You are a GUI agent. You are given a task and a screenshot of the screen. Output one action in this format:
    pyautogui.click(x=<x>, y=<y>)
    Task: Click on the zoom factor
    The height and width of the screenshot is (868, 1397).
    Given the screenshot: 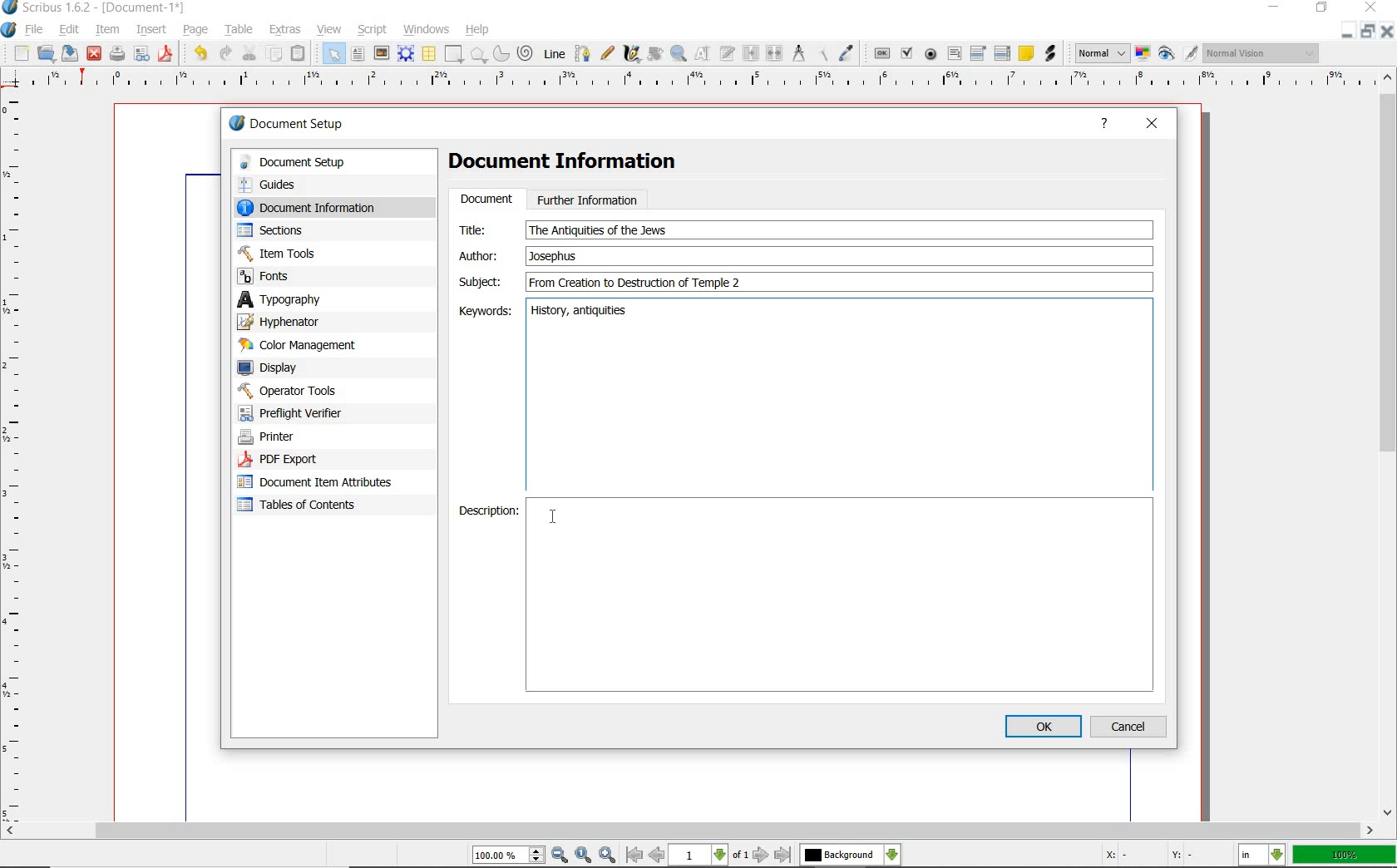 What is the action you would take?
    pyautogui.click(x=1343, y=856)
    